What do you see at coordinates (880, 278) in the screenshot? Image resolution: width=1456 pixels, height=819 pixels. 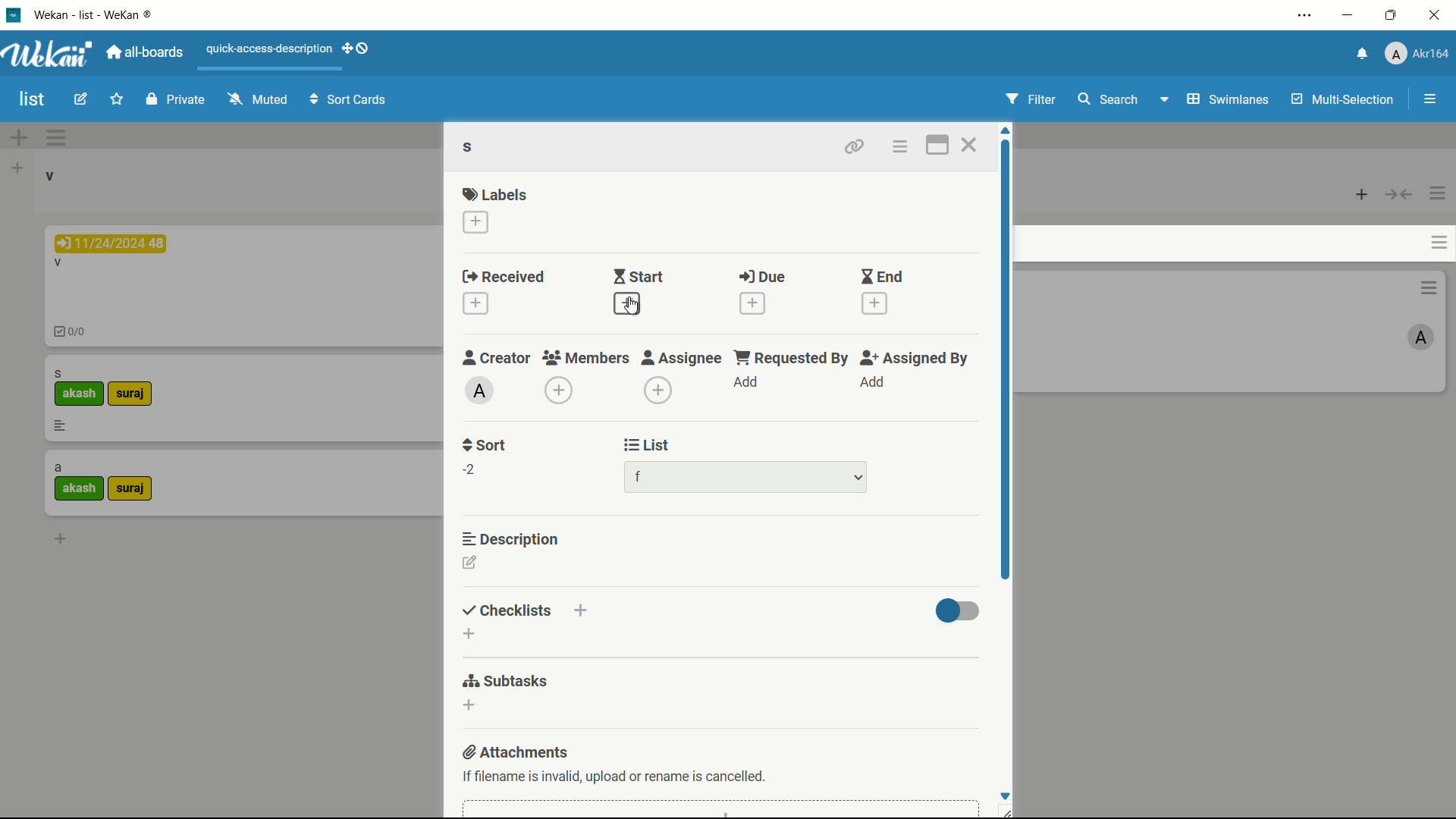 I see `end` at bounding box center [880, 278].